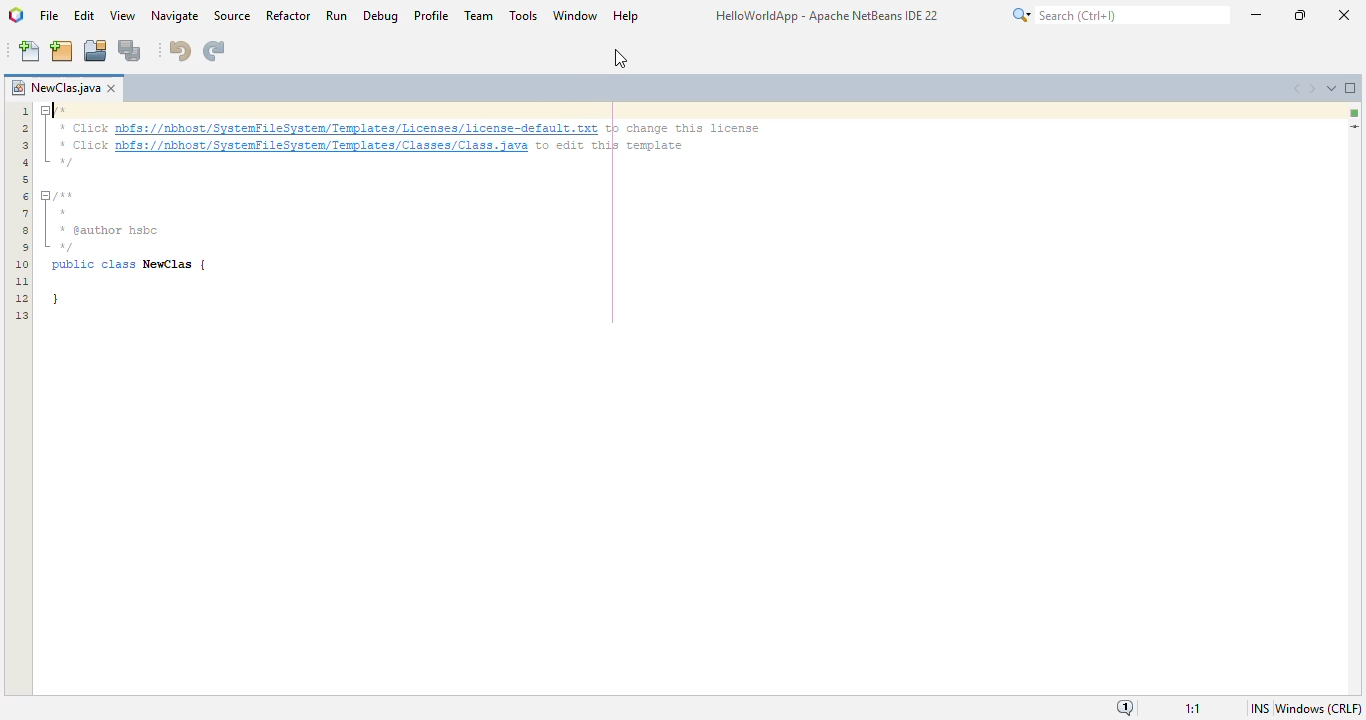 This screenshot has width=1366, height=720. Describe the element at coordinates (1259, 708) in the screenshot. I see `insert mode` at that location.